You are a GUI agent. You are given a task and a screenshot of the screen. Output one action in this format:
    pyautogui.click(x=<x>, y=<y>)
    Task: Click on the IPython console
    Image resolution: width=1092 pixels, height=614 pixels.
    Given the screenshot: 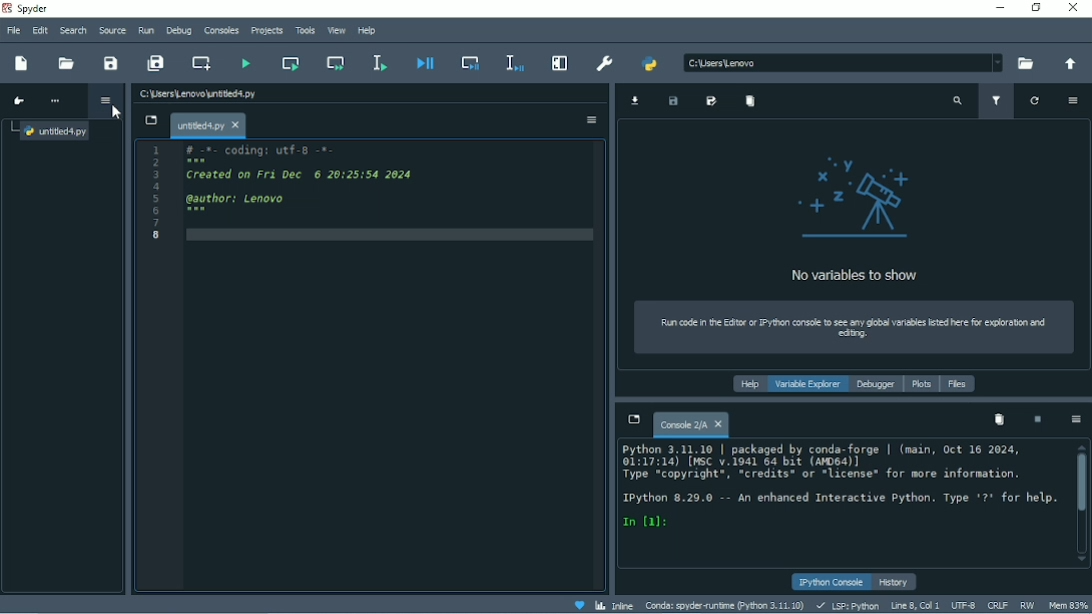 What is the action you would take?
    pyautogui.click(x=830, y=582)
    